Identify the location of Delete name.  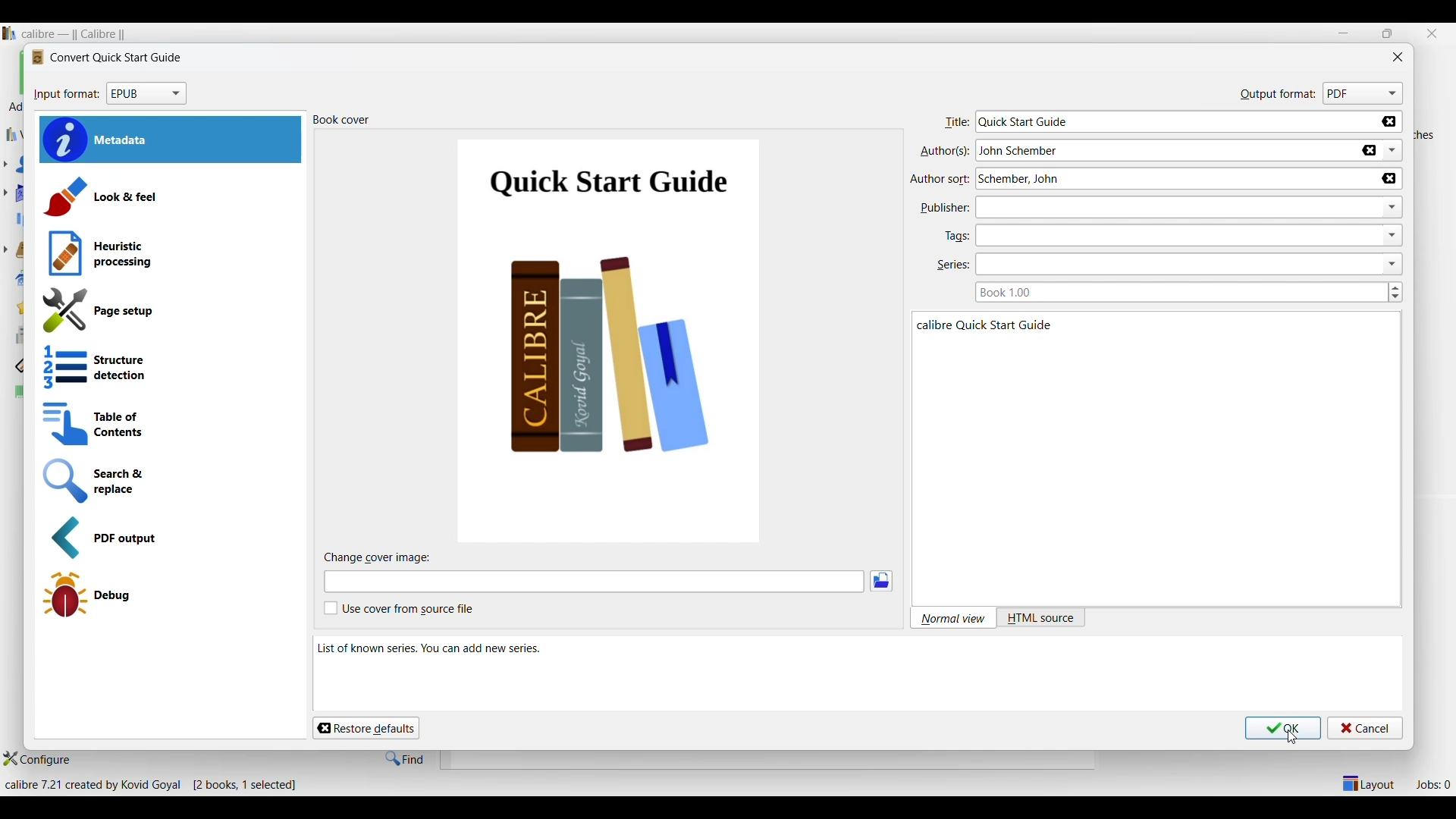
(1389, 179).